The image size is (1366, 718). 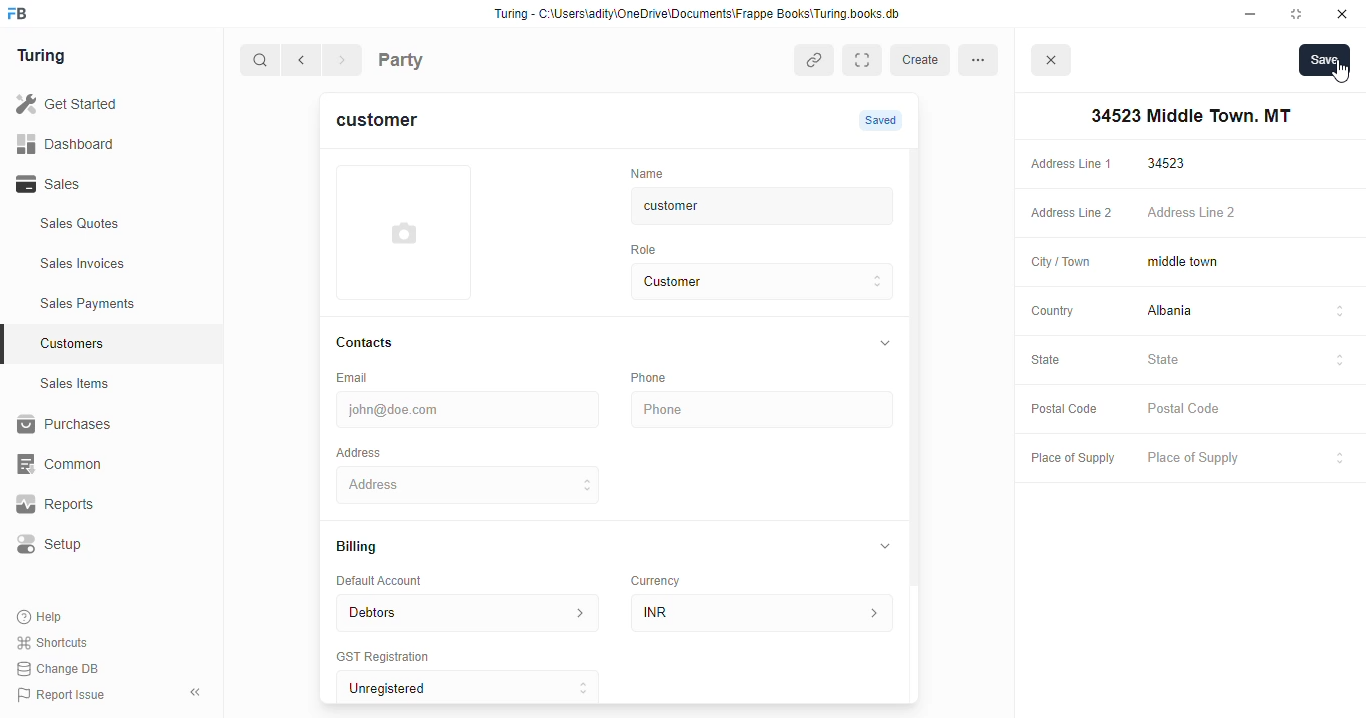 I want to click on Currency, so click(x=664, y=576).